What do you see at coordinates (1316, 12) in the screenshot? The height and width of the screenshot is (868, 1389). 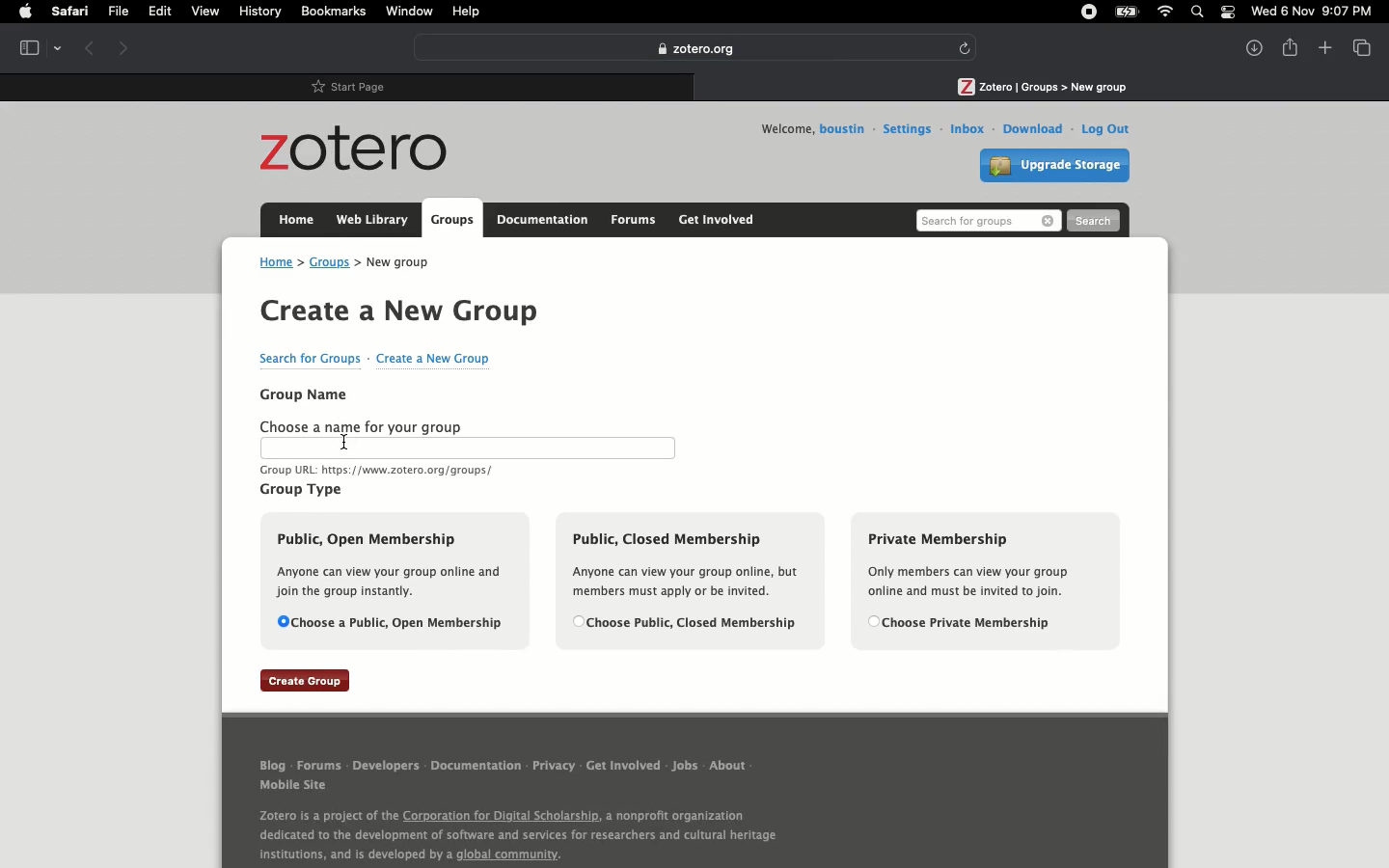 I see `Date/time` at bounding box center [1316, 12].